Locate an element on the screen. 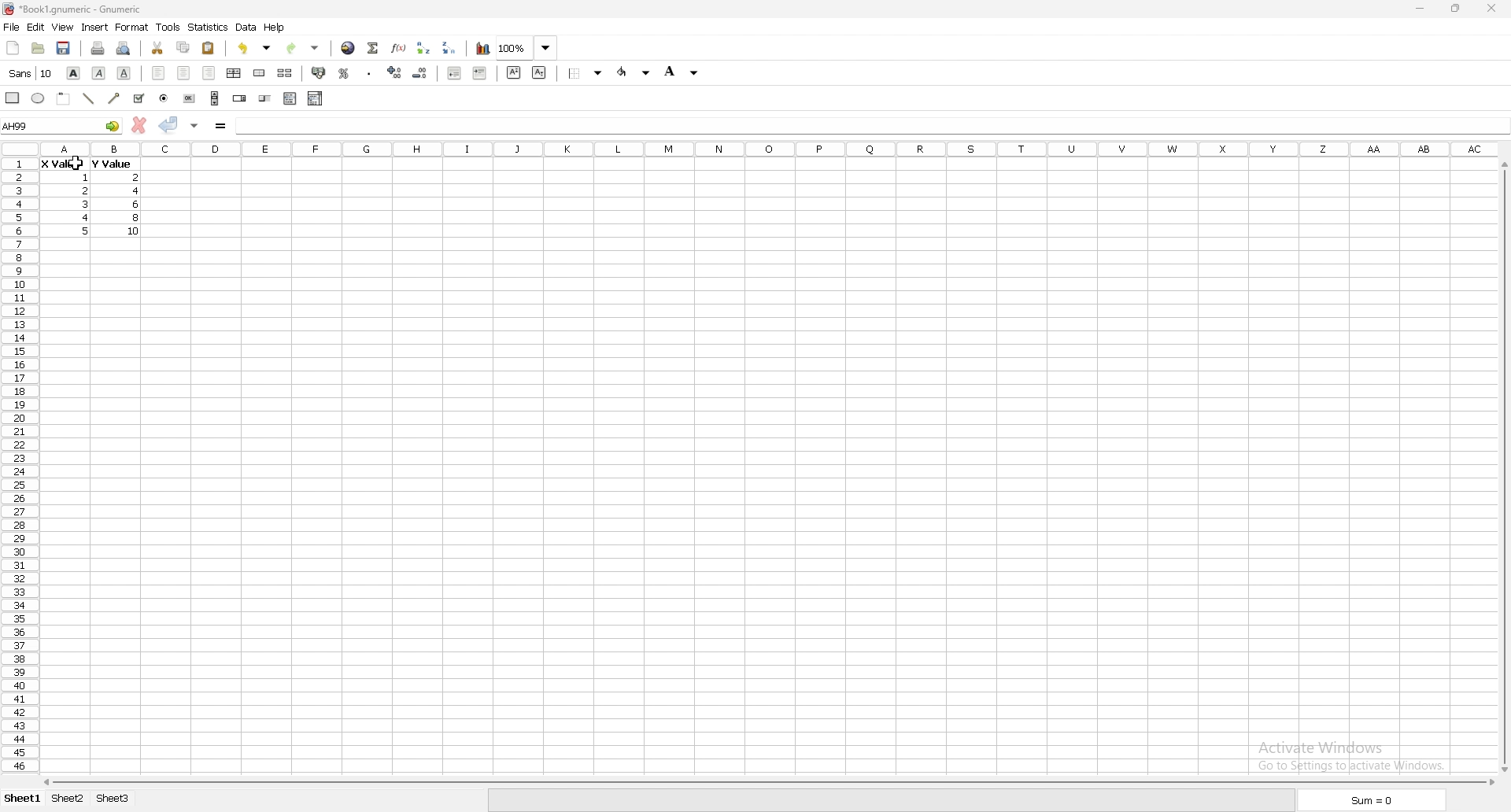 The height and width of the screenshot is (812, 1511). summation is located at coordinates (372, 47).